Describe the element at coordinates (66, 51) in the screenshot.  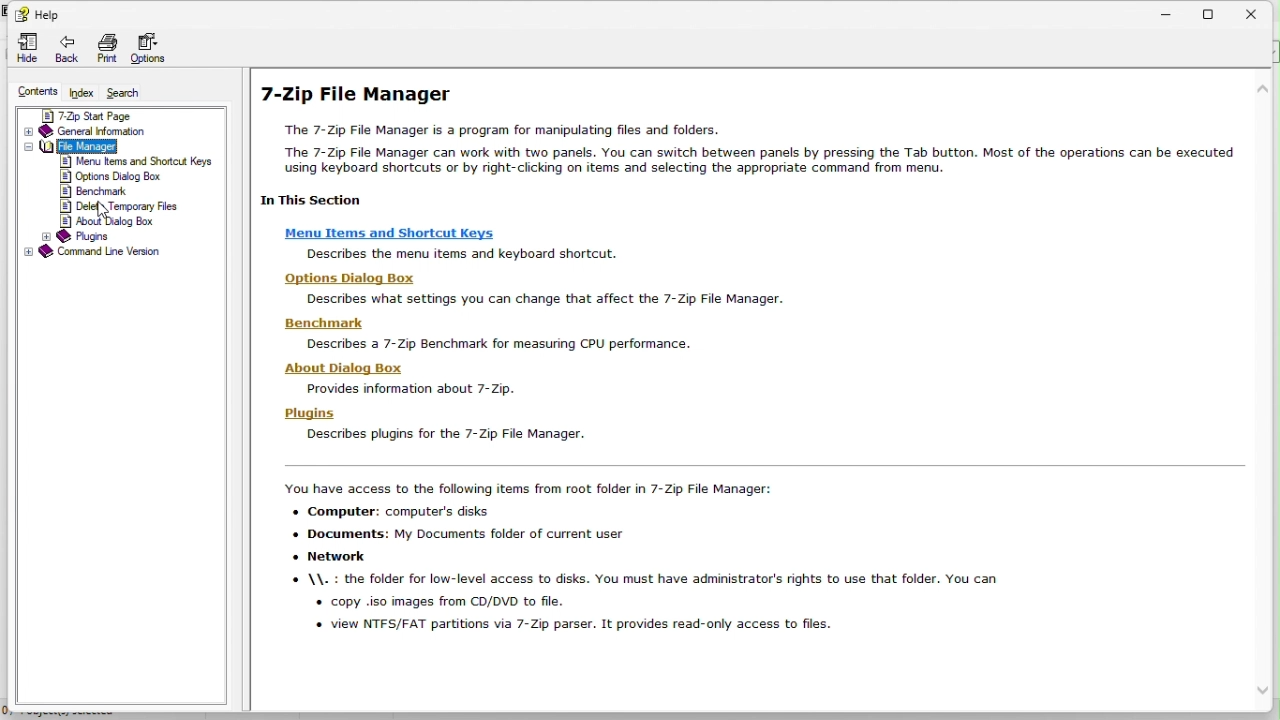
I see `Back` at that location.